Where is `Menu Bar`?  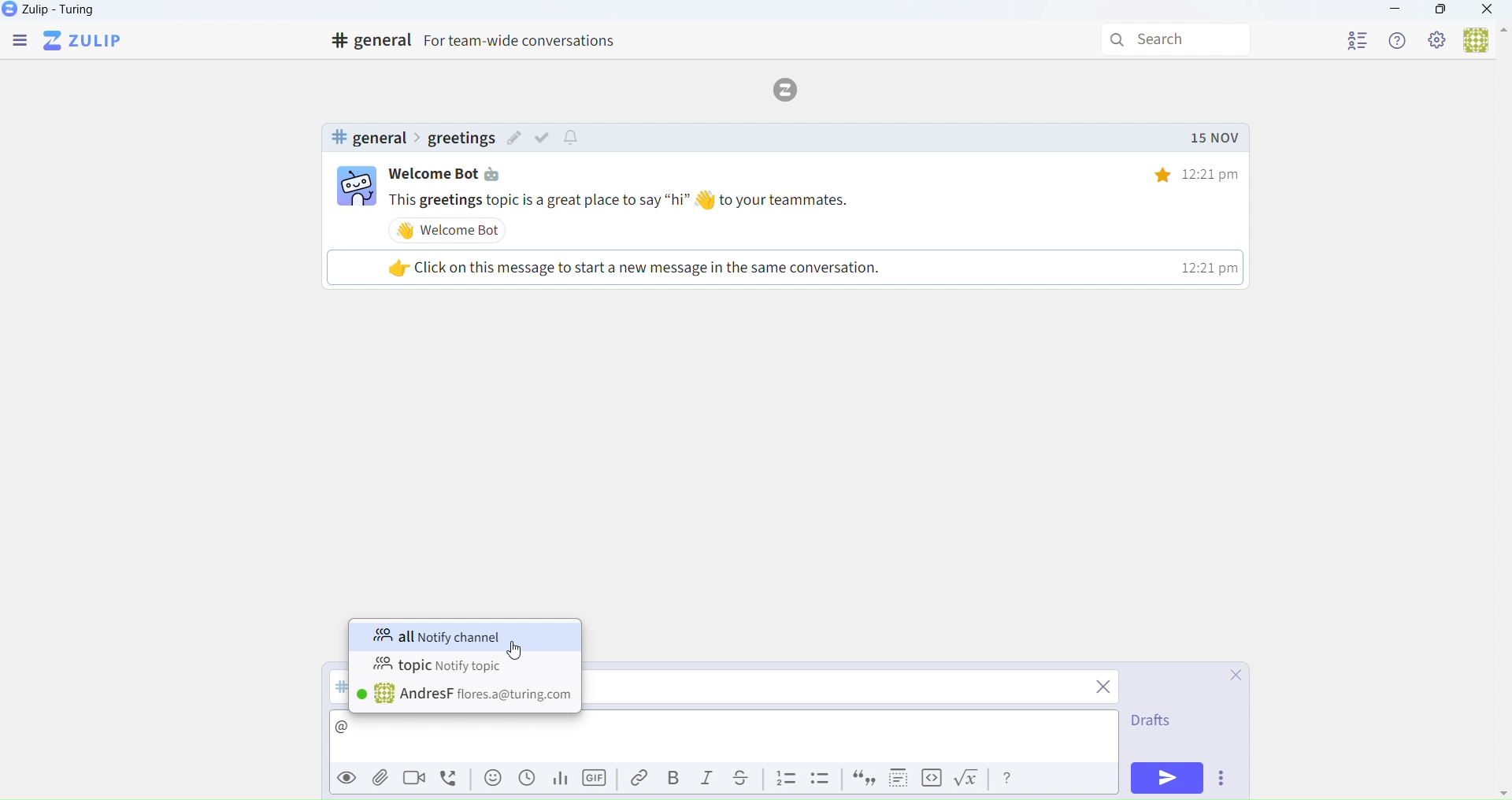 Menu Bar is located at coordinates (18, 42).